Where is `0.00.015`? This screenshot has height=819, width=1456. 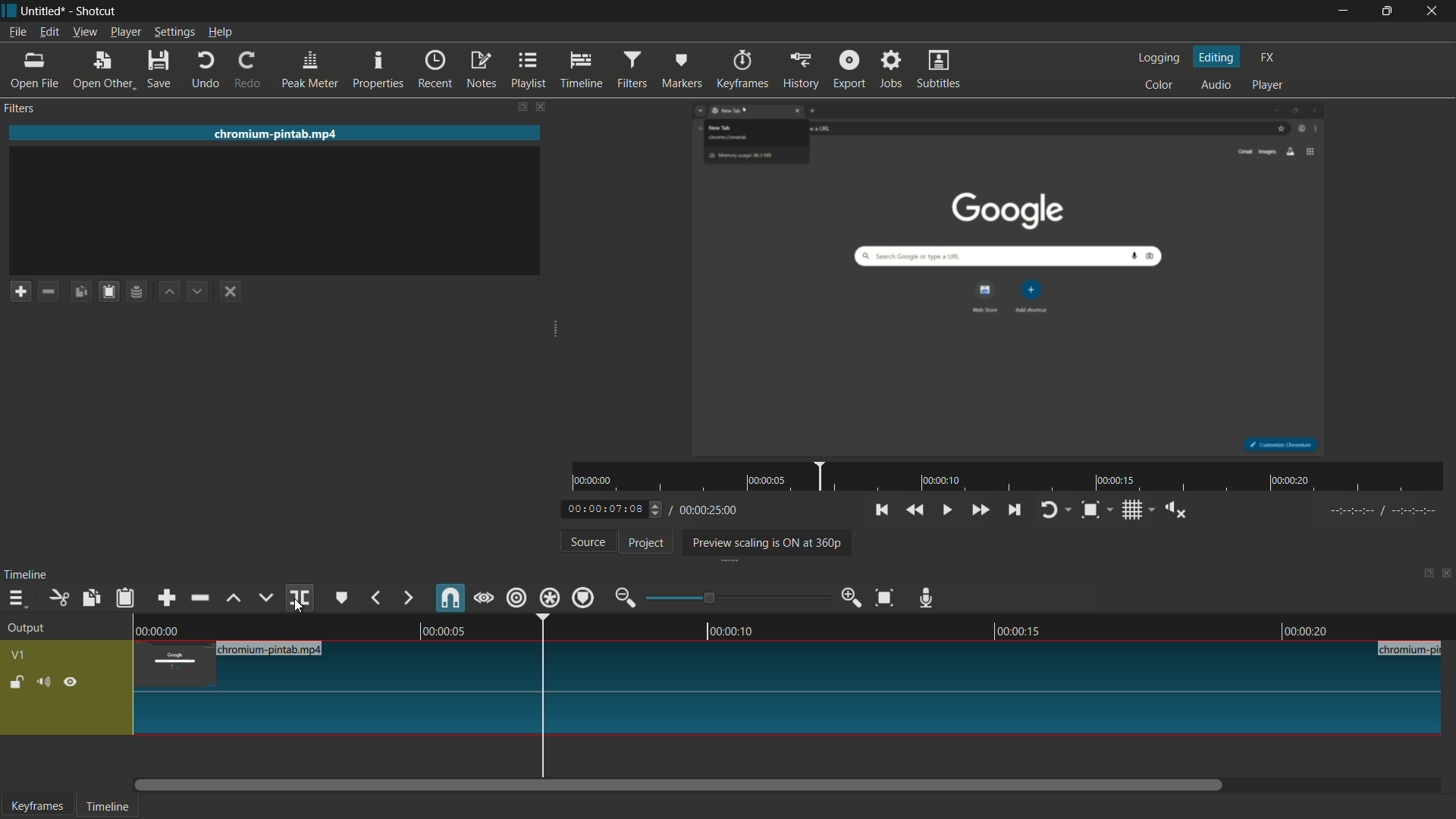
0.00.015 is located at coordinates (1018, 629).